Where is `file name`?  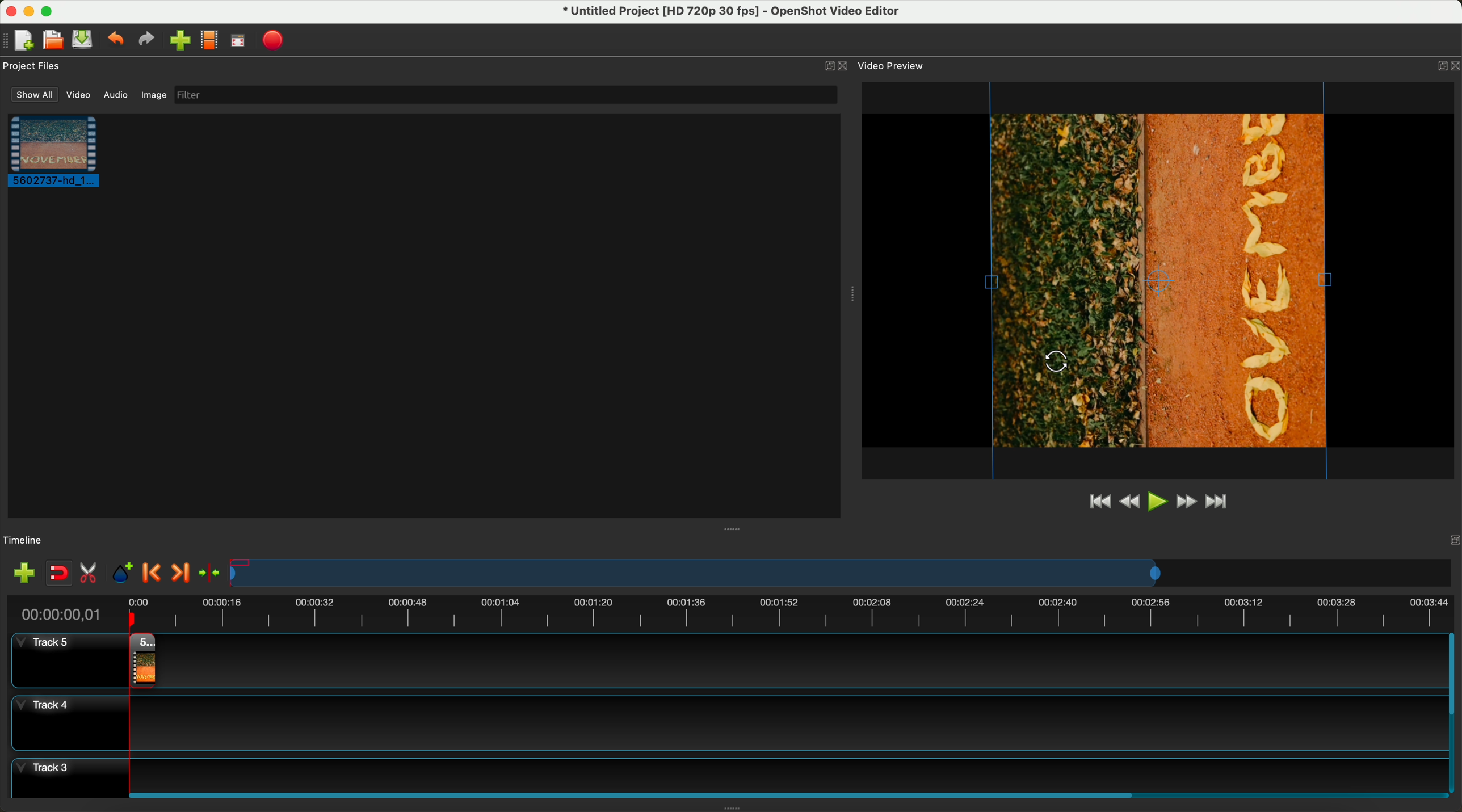 file name is located at coordinates (736, 14).